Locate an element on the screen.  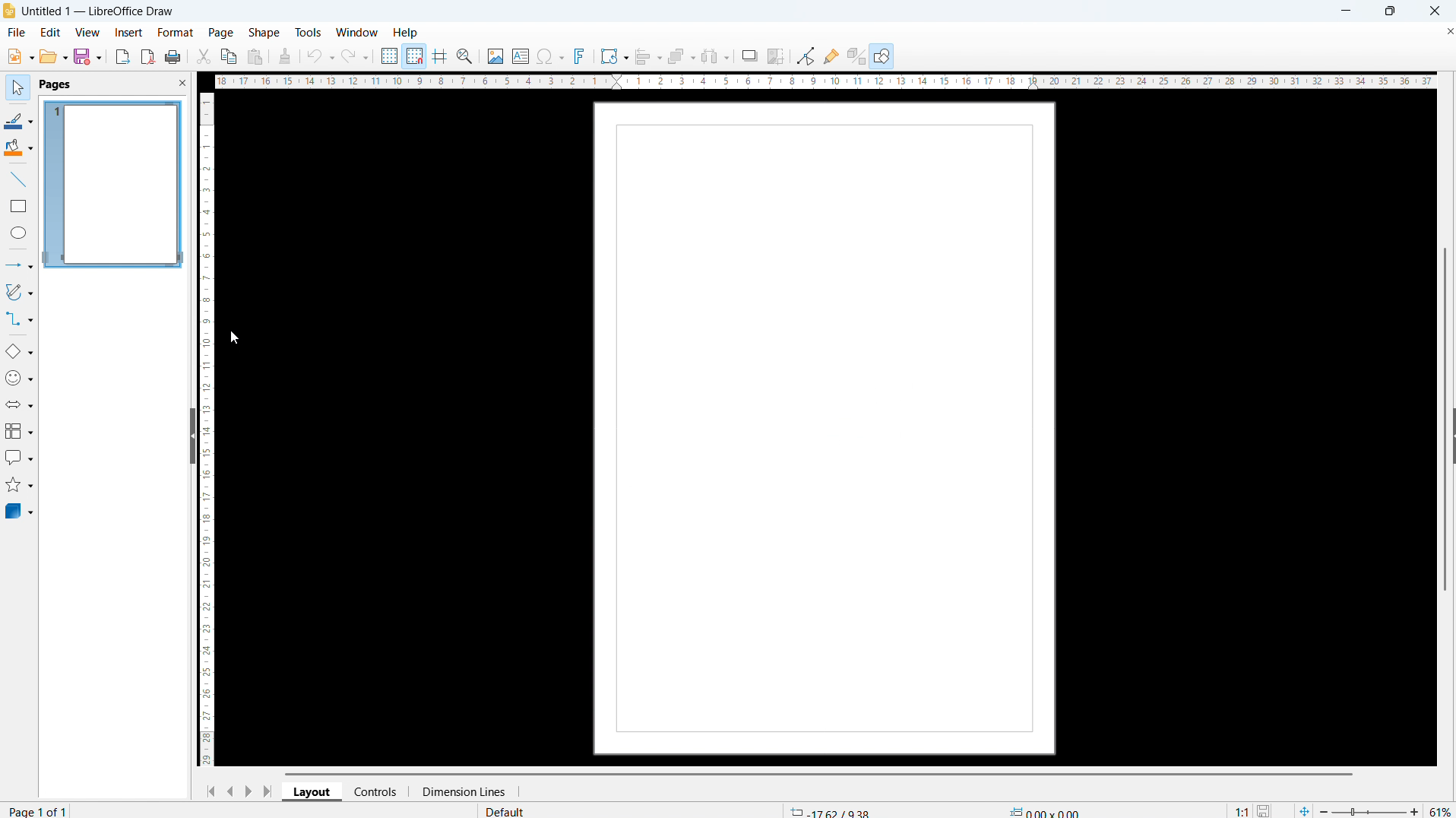
save is located at coordinates (1266, 809).